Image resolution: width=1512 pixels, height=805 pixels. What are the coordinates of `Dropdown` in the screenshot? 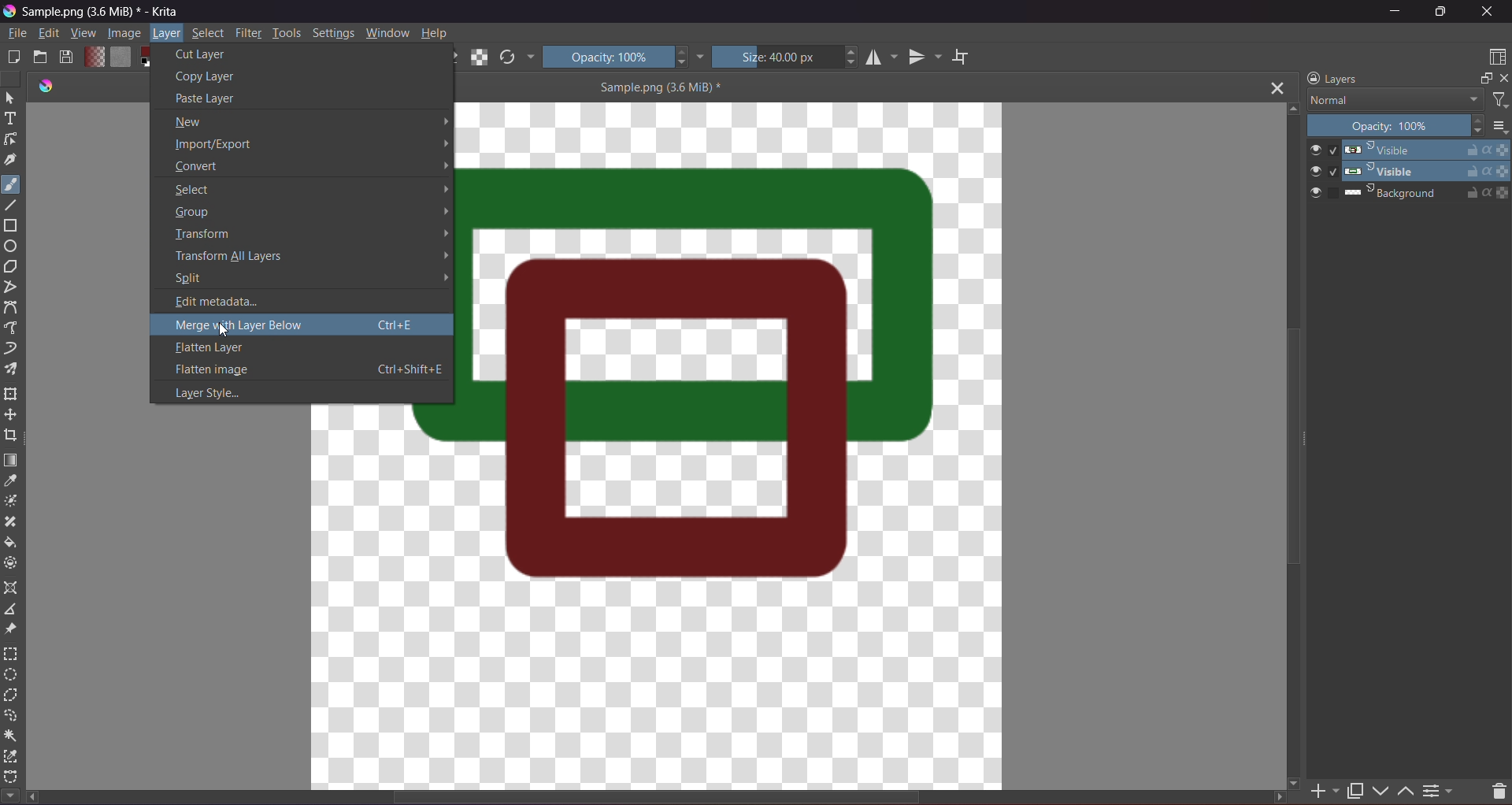 It's located at (701, 56).